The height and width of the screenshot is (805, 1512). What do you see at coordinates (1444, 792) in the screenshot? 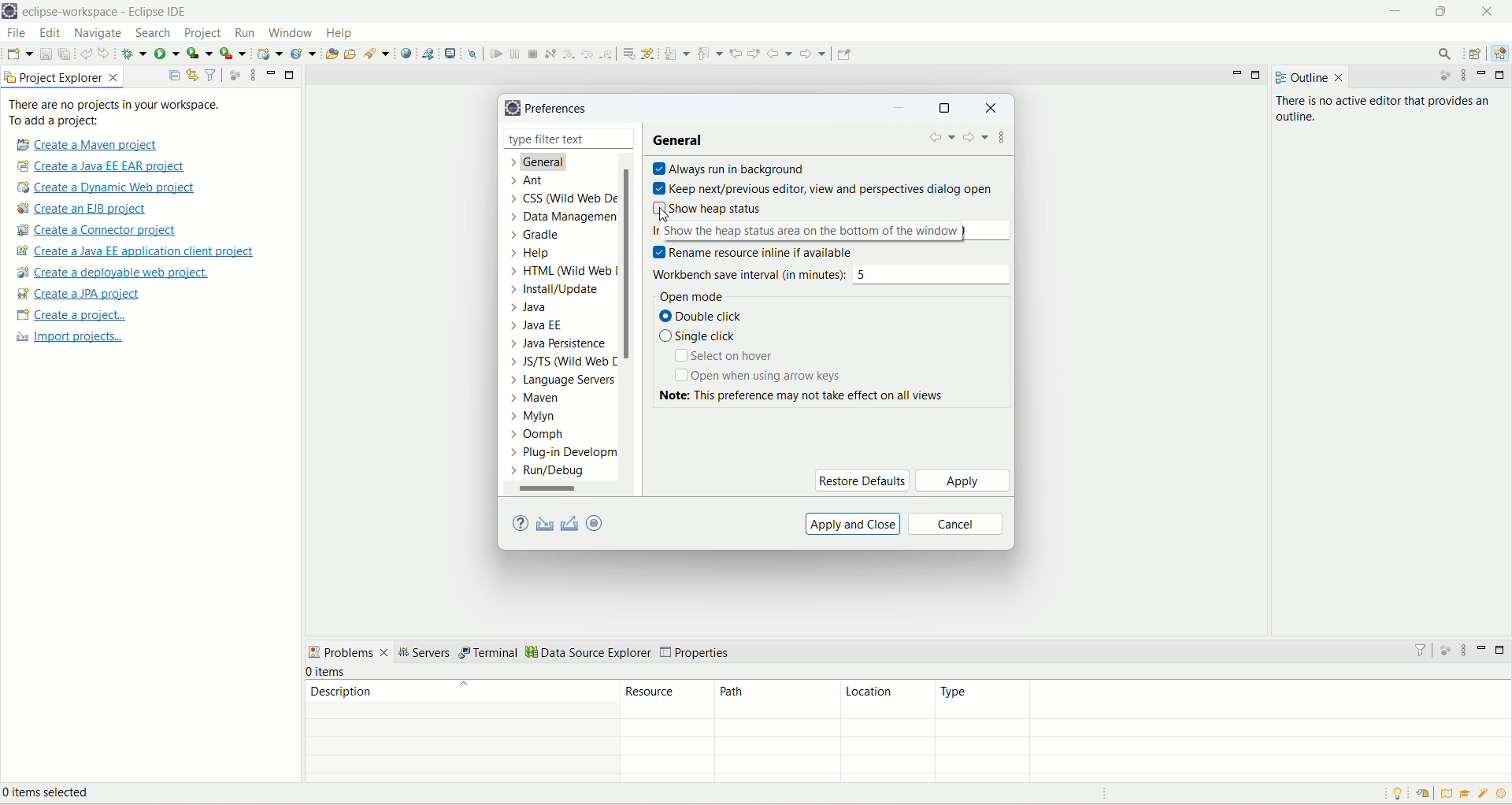
I see `overview` at bounding box center [1444, 792].